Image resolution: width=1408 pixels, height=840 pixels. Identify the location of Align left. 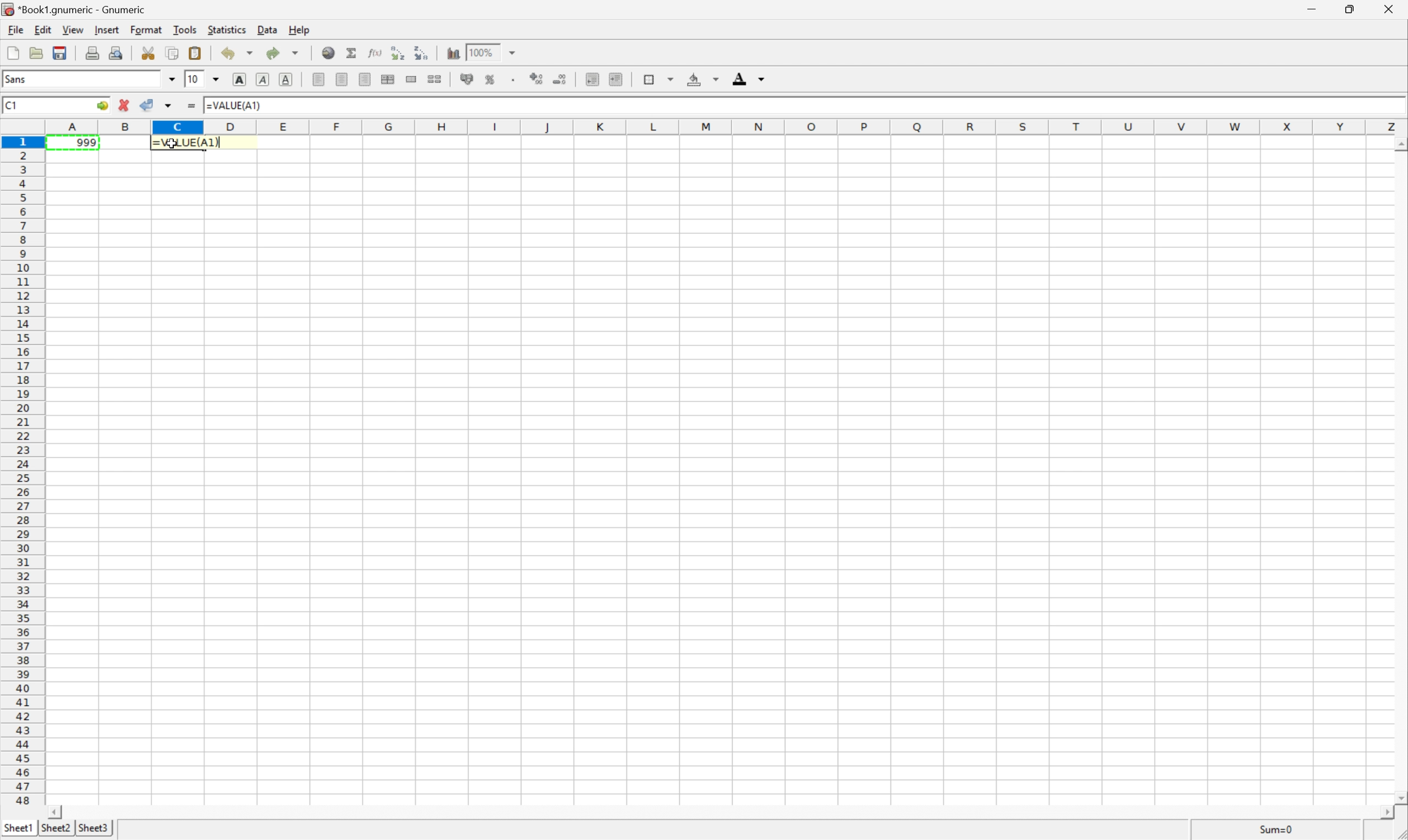
(318, 80).